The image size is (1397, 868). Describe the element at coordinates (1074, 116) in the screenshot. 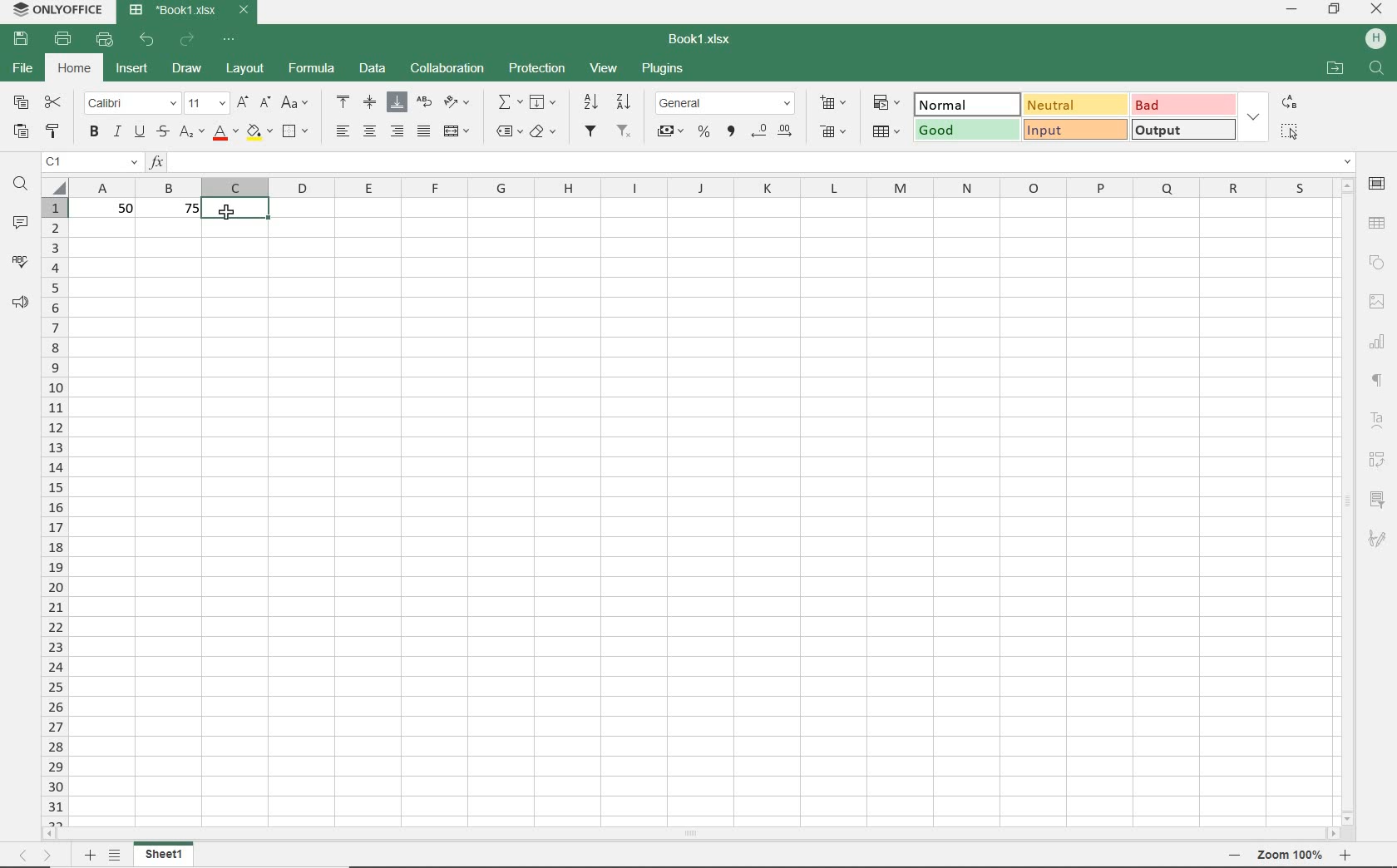

I see `Data & Model` at that location.